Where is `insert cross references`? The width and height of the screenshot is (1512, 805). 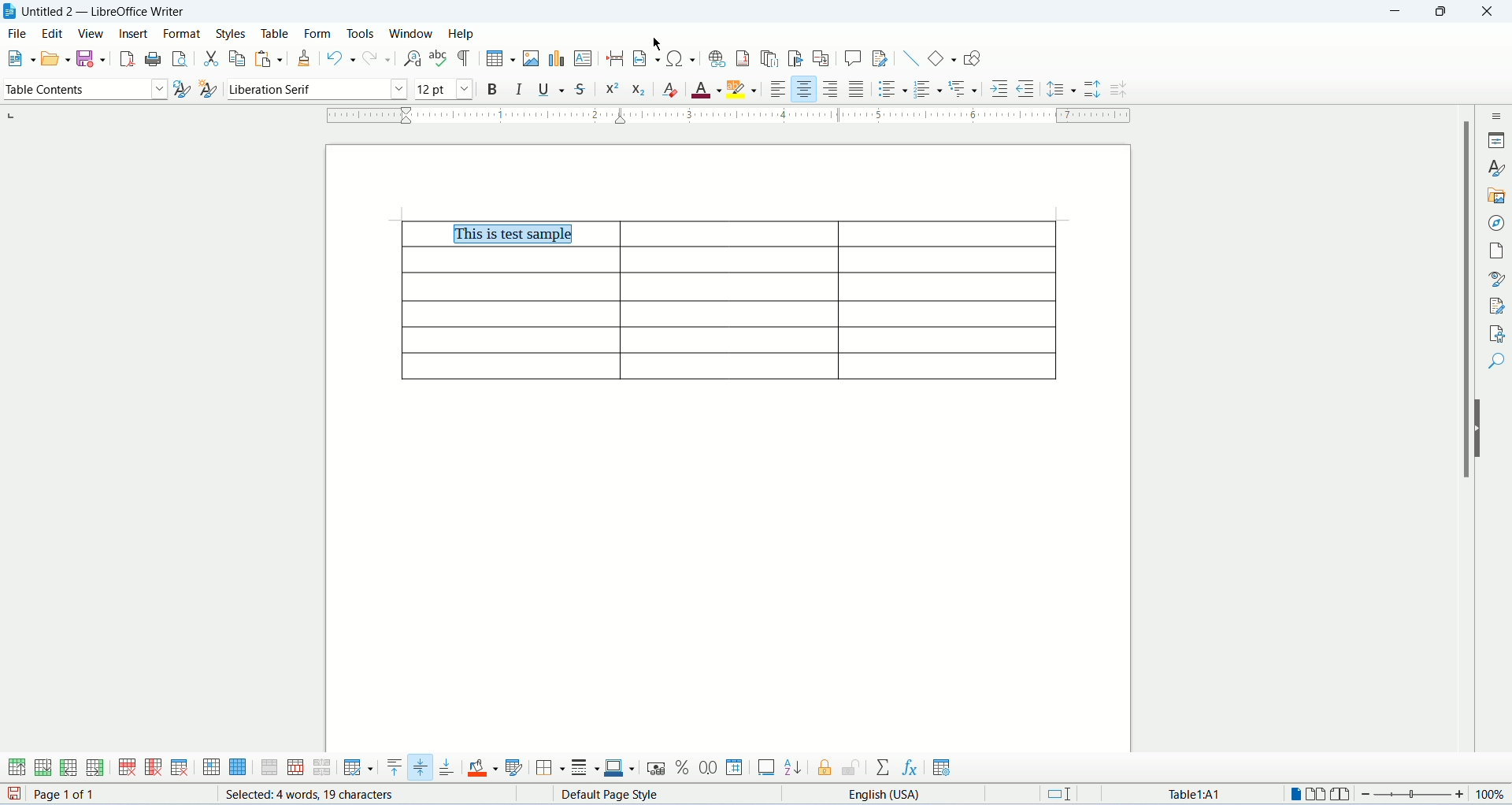 insert cross references is located at coordinates (822, 58).